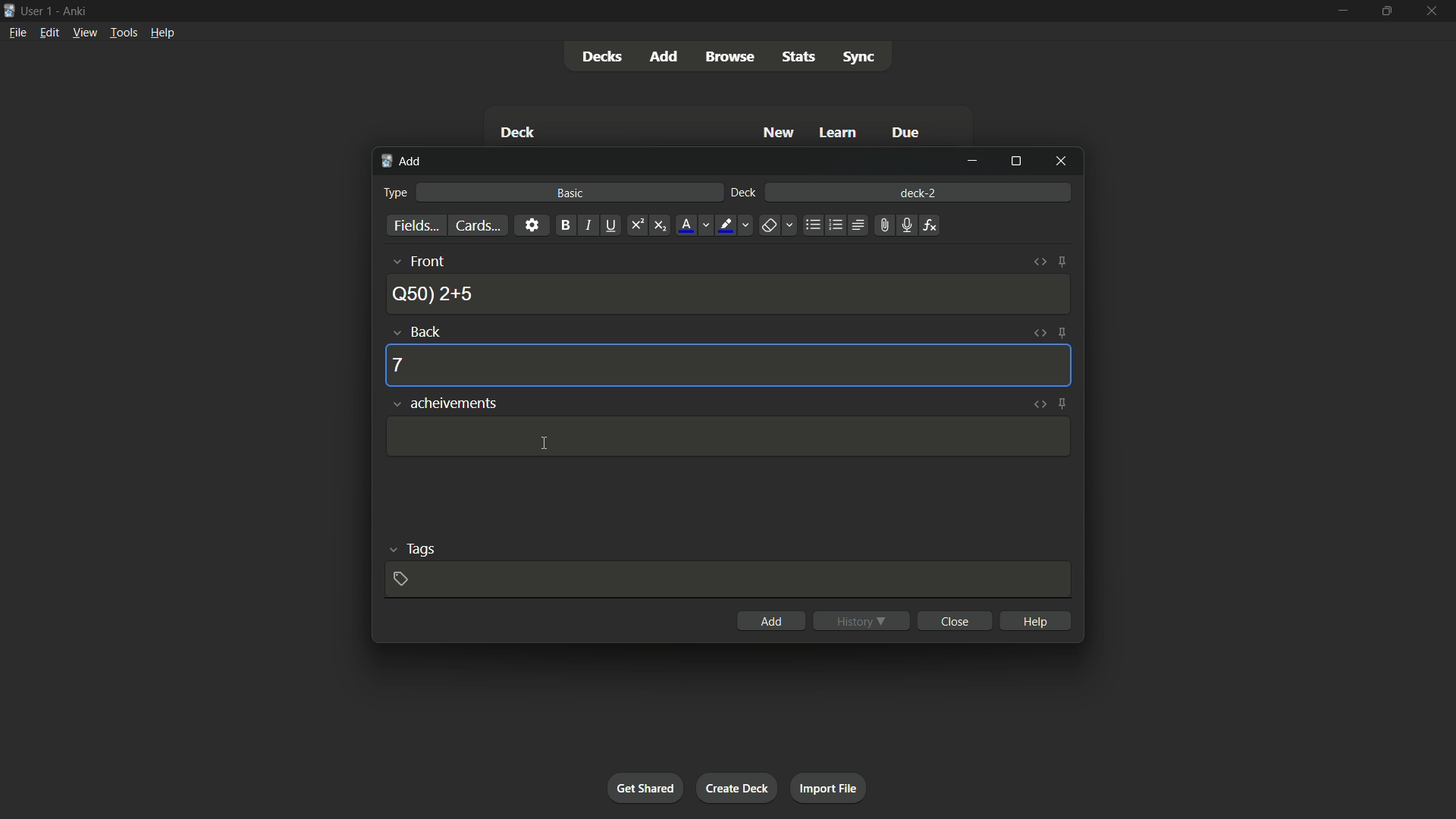 This screenshot has height=819, width=1456. Describe the element at coordinates (85, 33) in the screenshot. I see `view menu` at that location.